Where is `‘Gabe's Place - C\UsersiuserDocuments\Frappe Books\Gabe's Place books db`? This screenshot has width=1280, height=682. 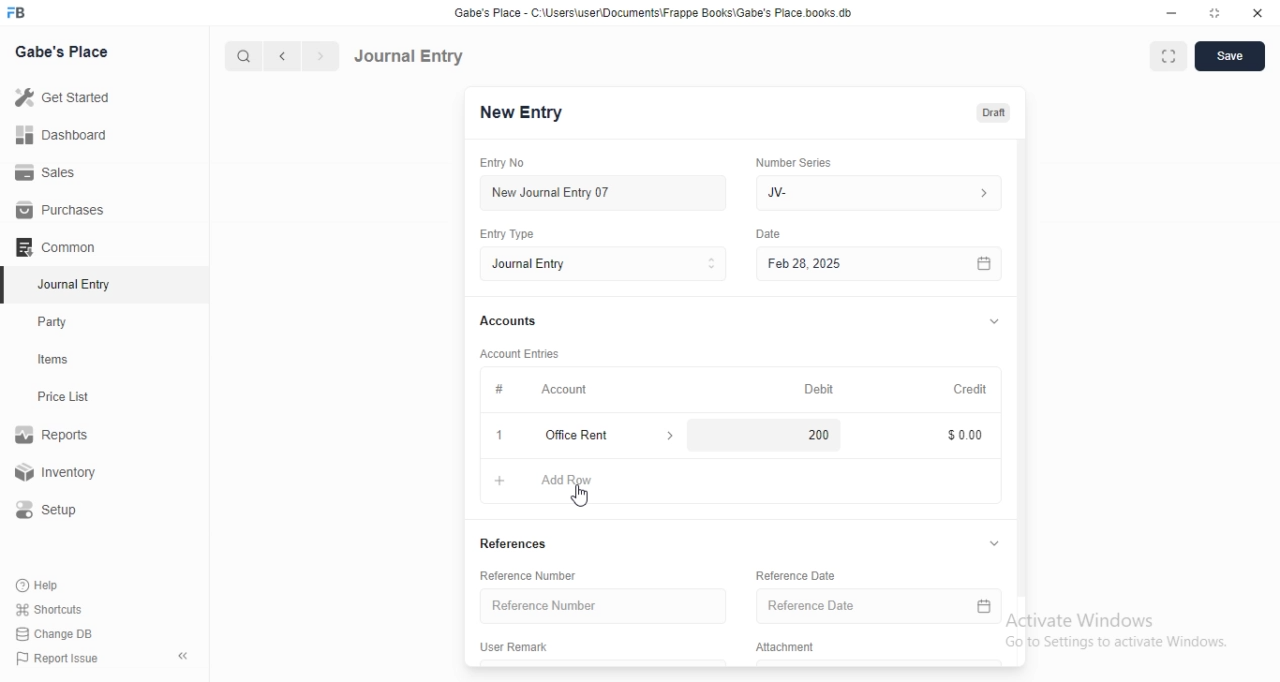 ‘Gabe's Place - C\UsersiuserDocuments\Frappe Books\Gabe's Place books db is located at coordinates (653, 12).